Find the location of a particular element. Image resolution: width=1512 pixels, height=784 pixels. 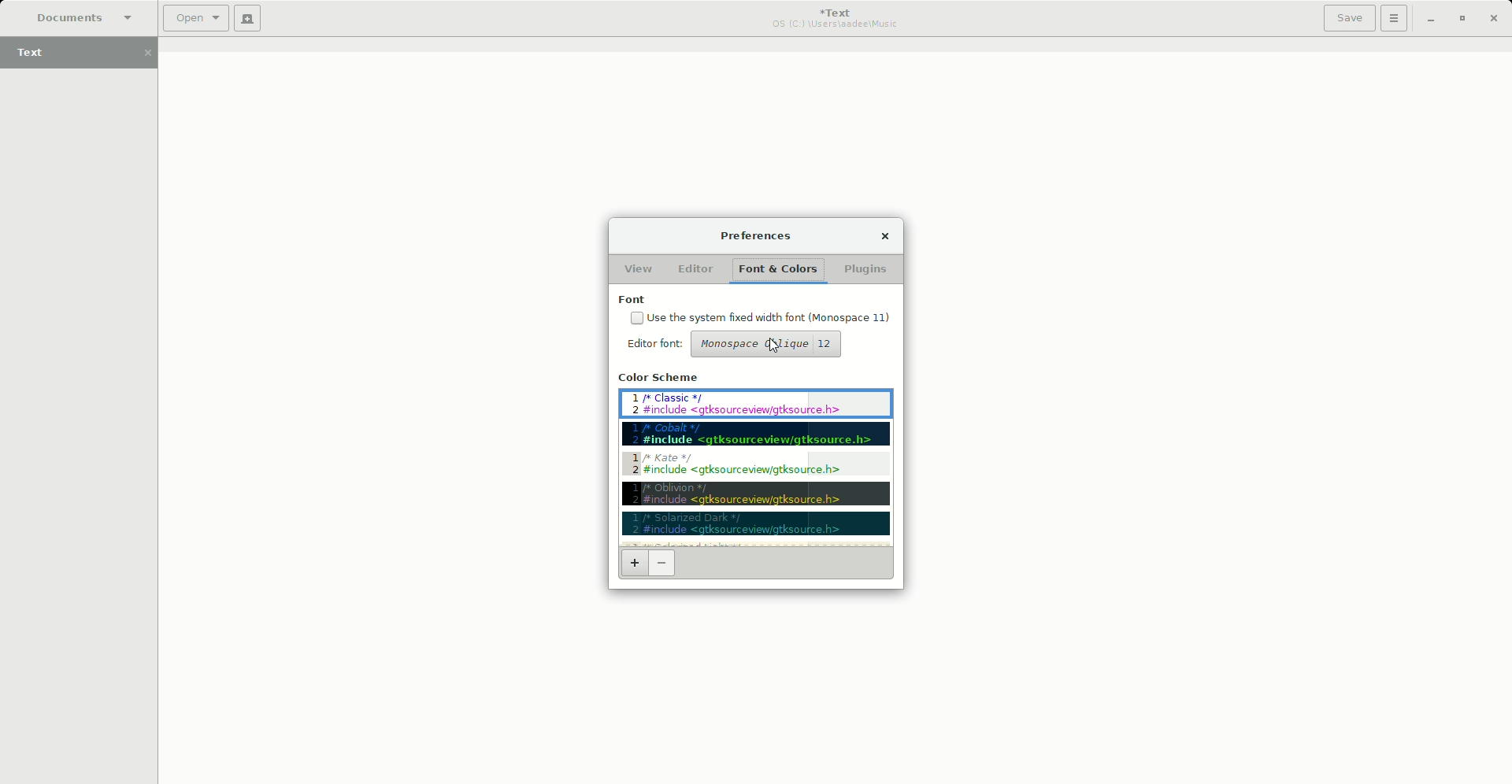

Close is located at coordinates (1495, 19).